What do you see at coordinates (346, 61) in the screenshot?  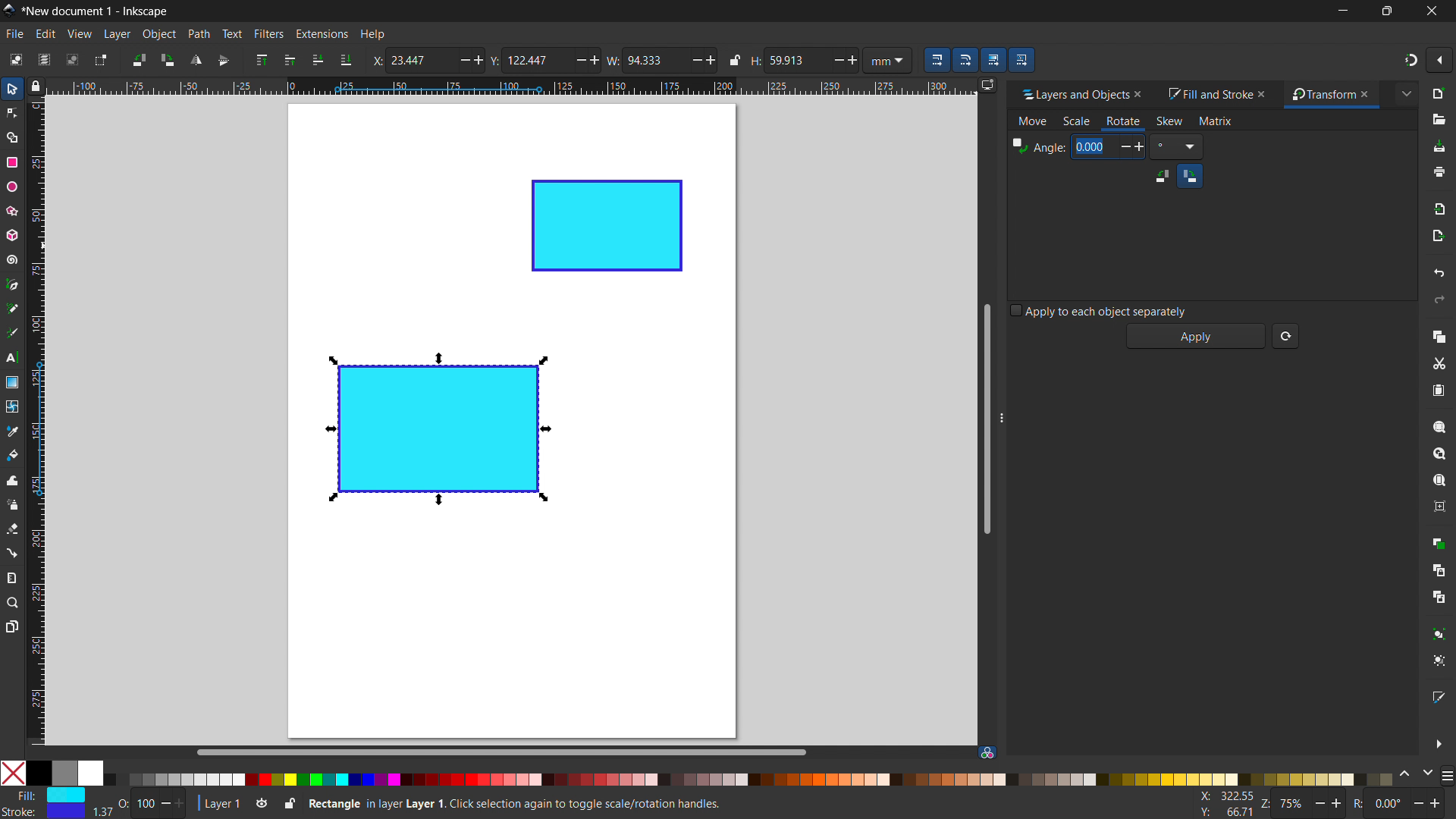 I see `lower to bottom` at bounding box center [346, 61].